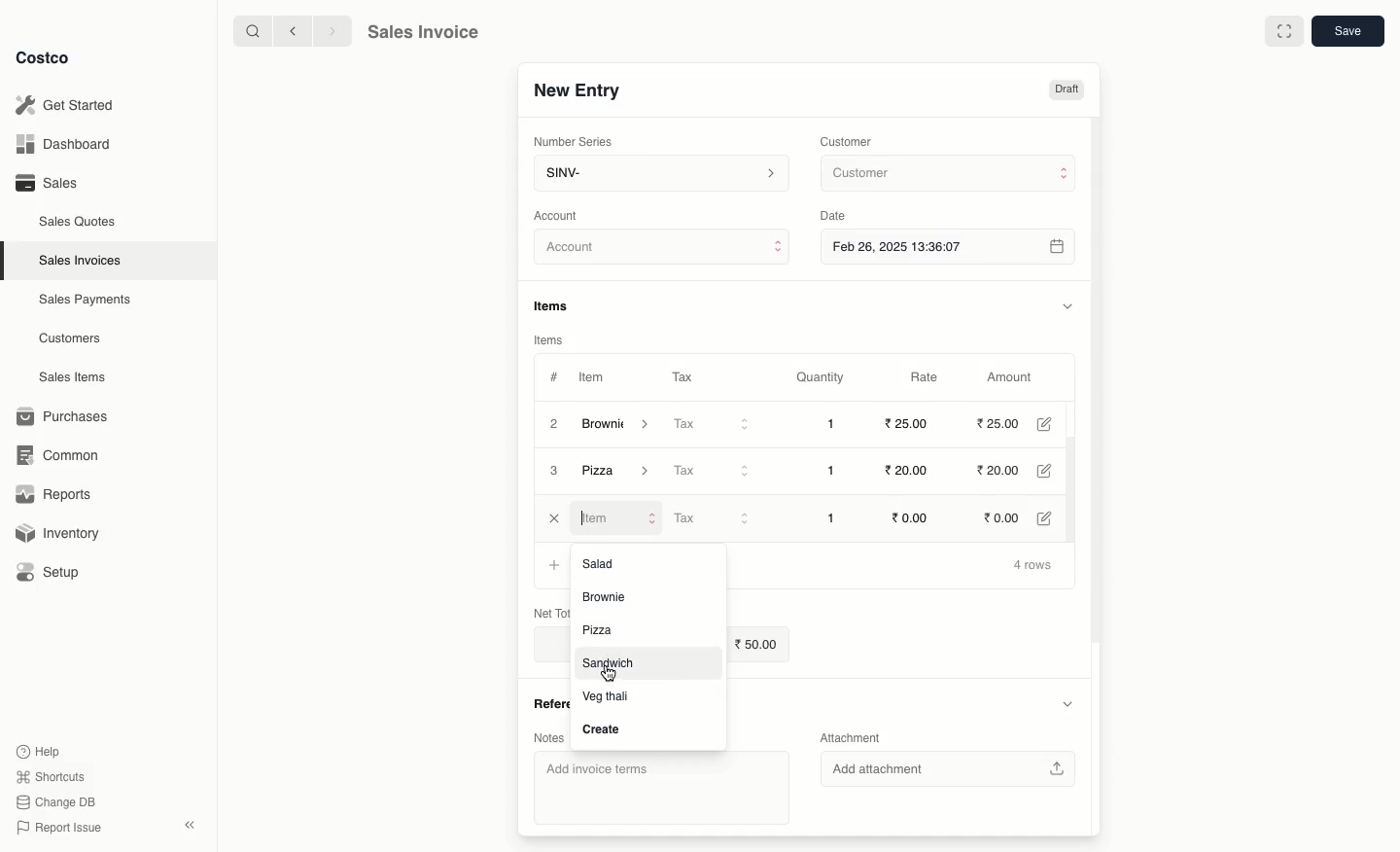 The width and height of the screenshot is (1400, 852). Describe the element at coordinates (617, 424) in the screenshot. I see `Brownie` at that location.